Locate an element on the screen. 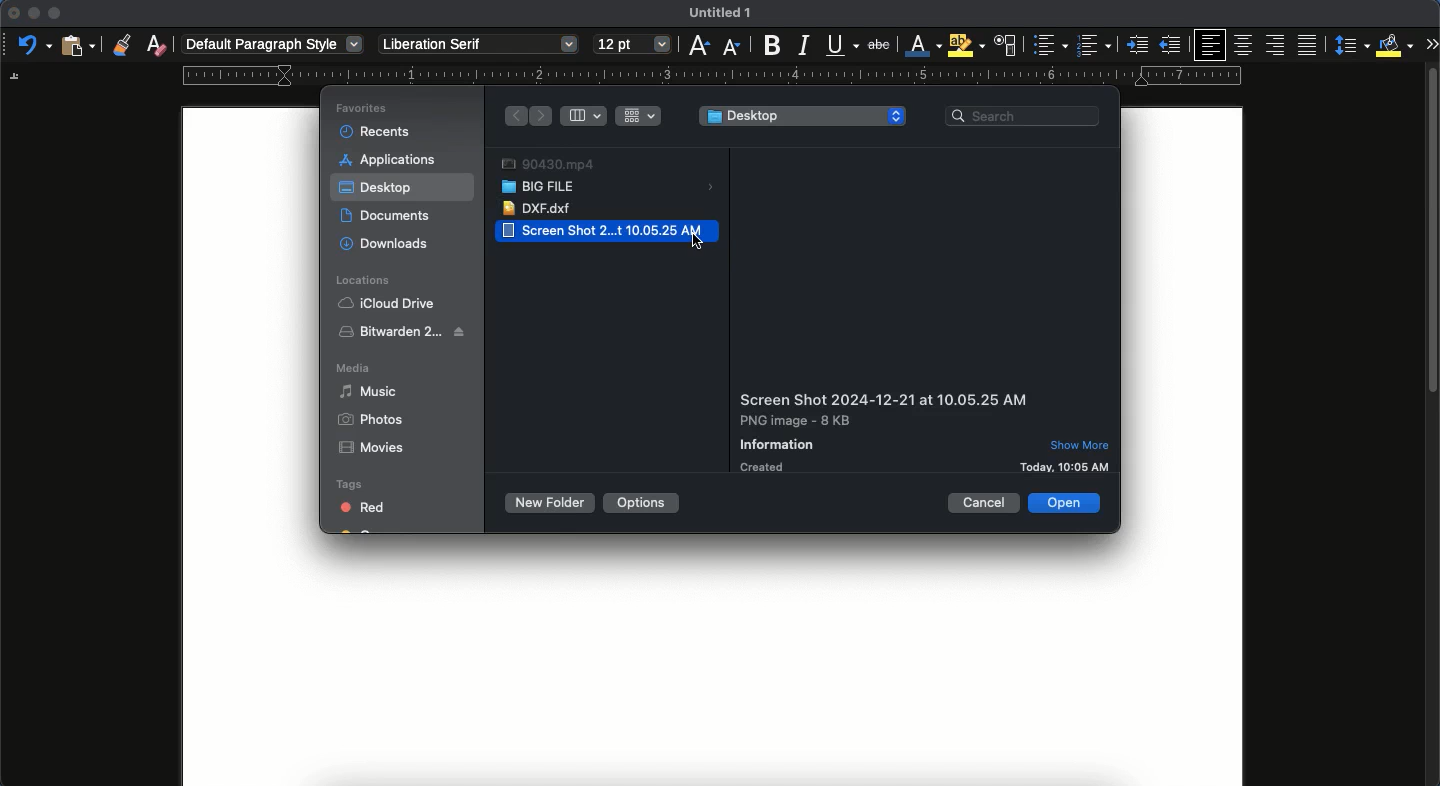  bullet is located at coordinates (1049, 45).